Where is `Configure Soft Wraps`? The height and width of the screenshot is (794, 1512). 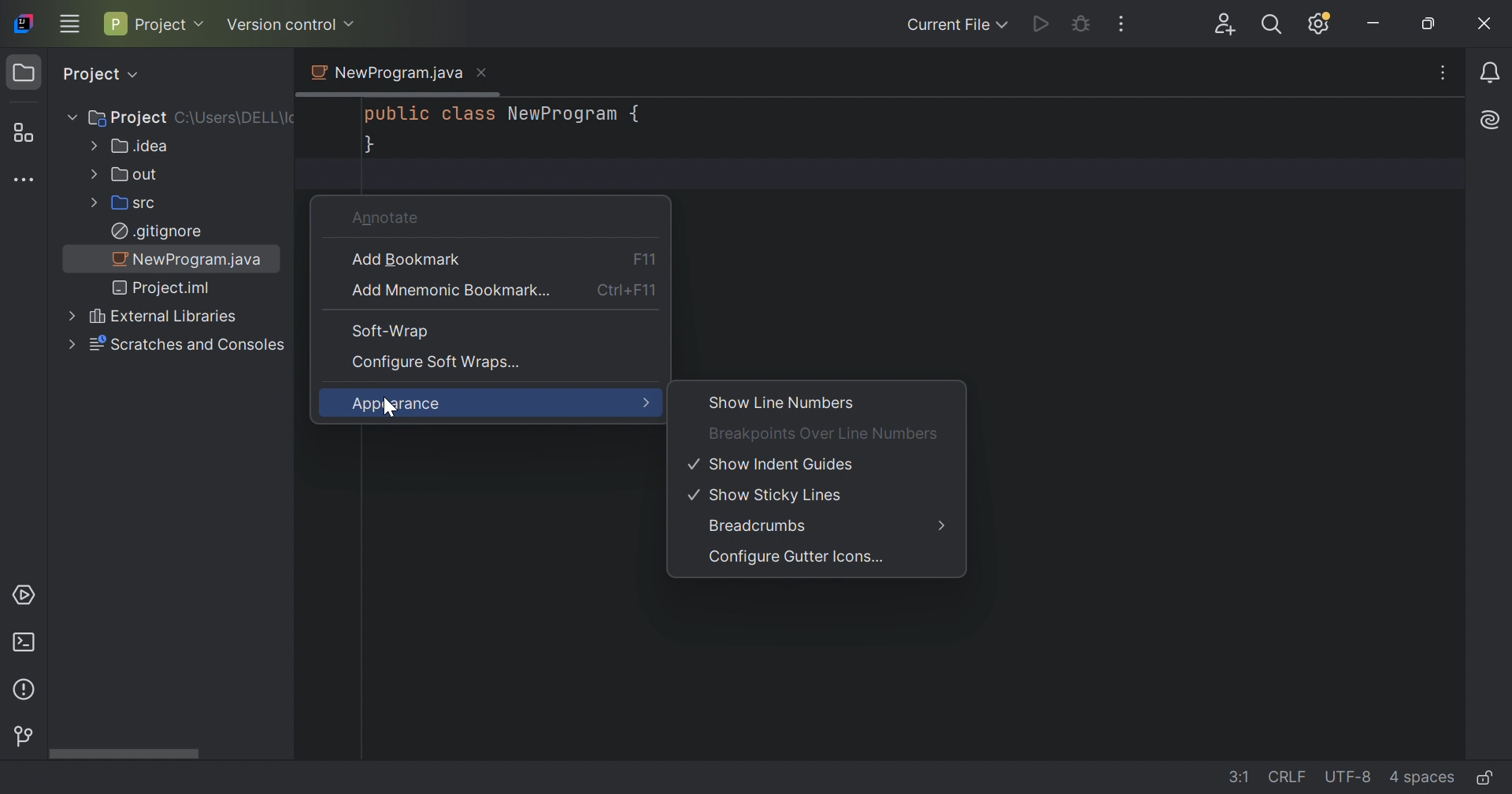
Configure Soft Wraps is located at coordinates (438, 362).